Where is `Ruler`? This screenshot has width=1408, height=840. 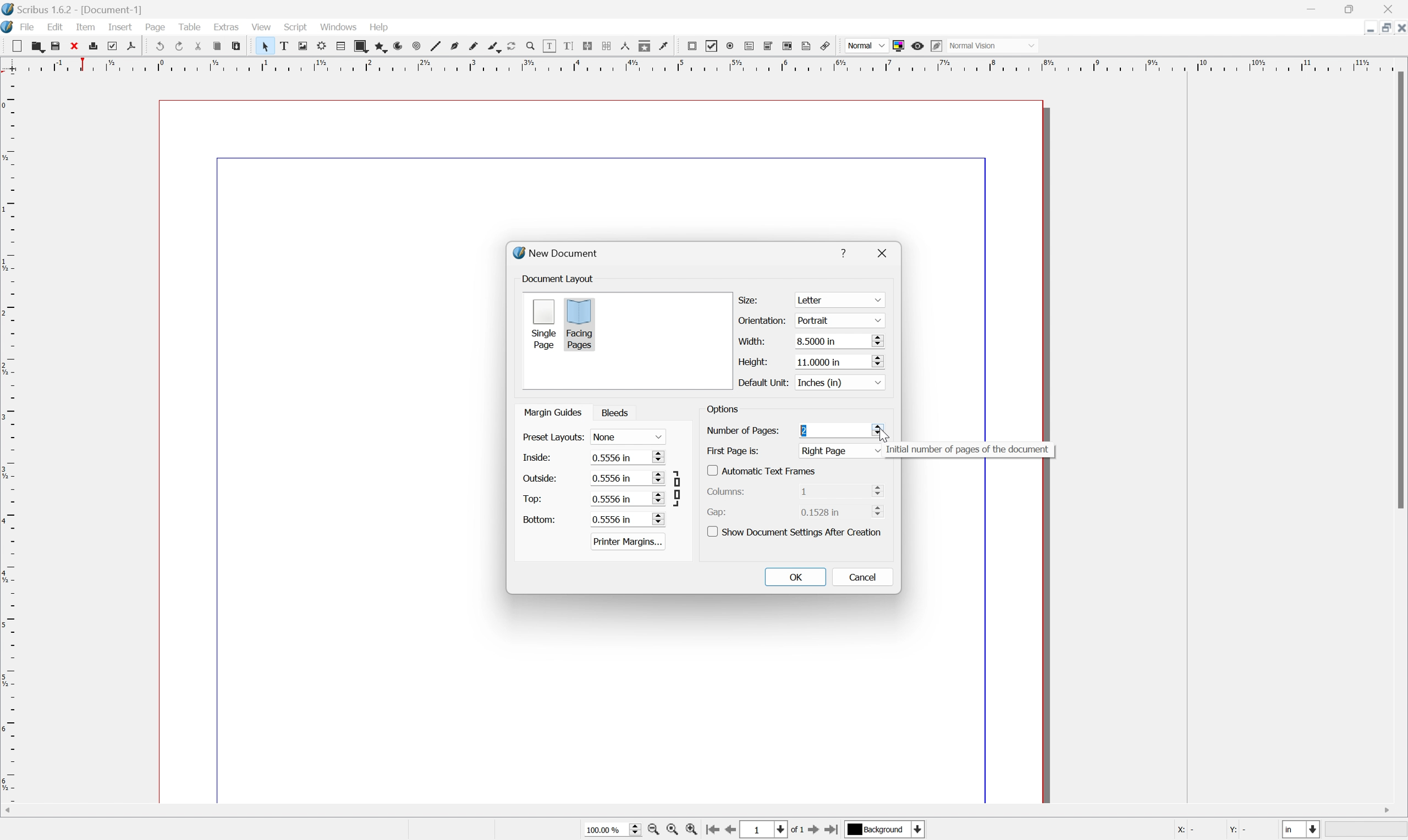 Ruler is located at coordinates (9, 446).